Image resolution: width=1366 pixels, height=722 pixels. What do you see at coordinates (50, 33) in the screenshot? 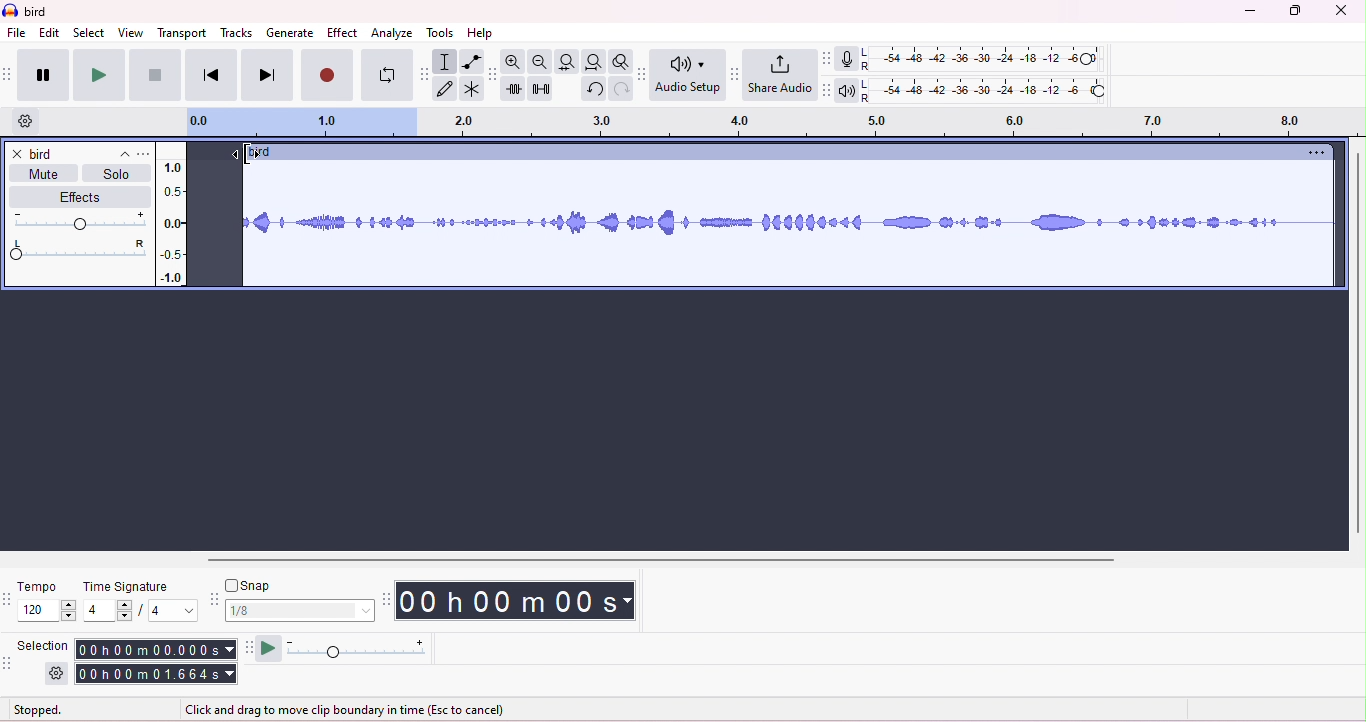
I see `edit` at bounding box center [50, 33].